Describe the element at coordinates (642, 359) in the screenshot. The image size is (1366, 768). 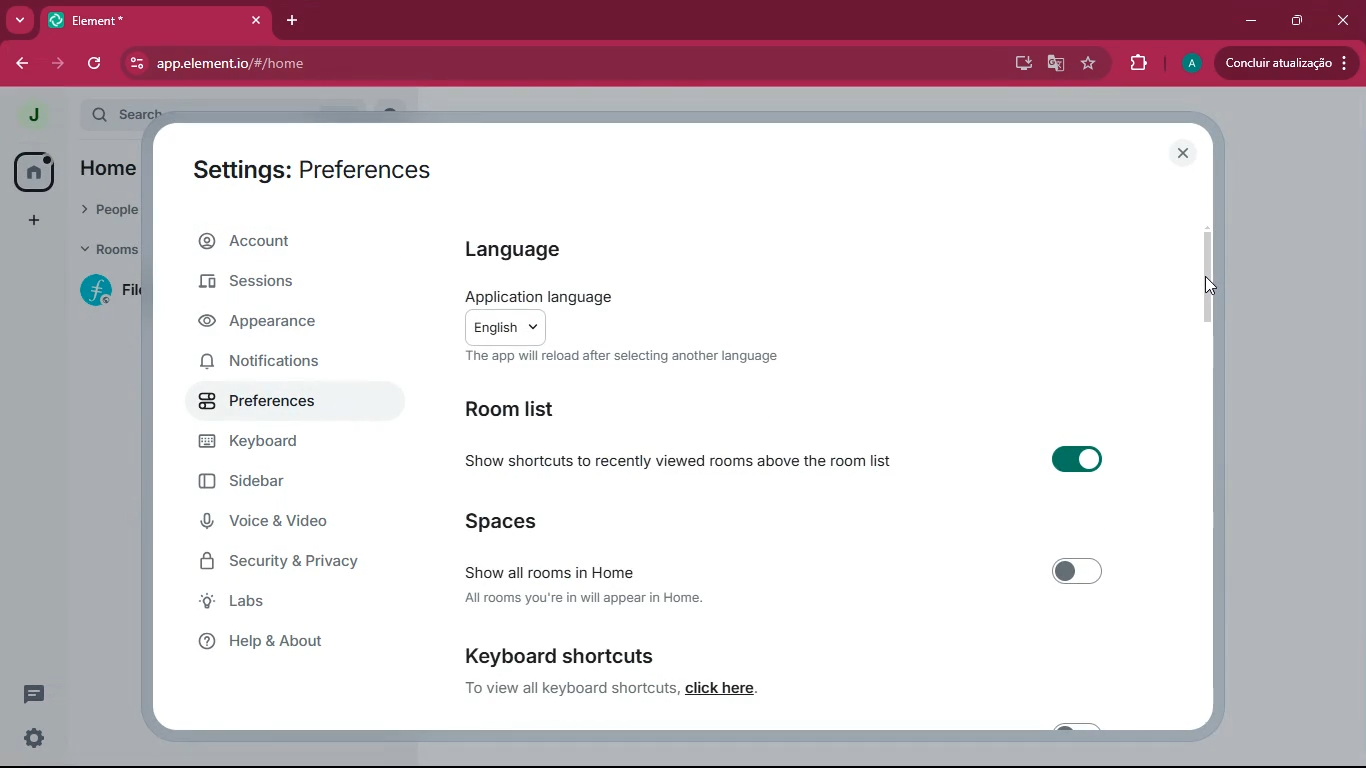
I see `This is how you appear to others on the app.` at that location.